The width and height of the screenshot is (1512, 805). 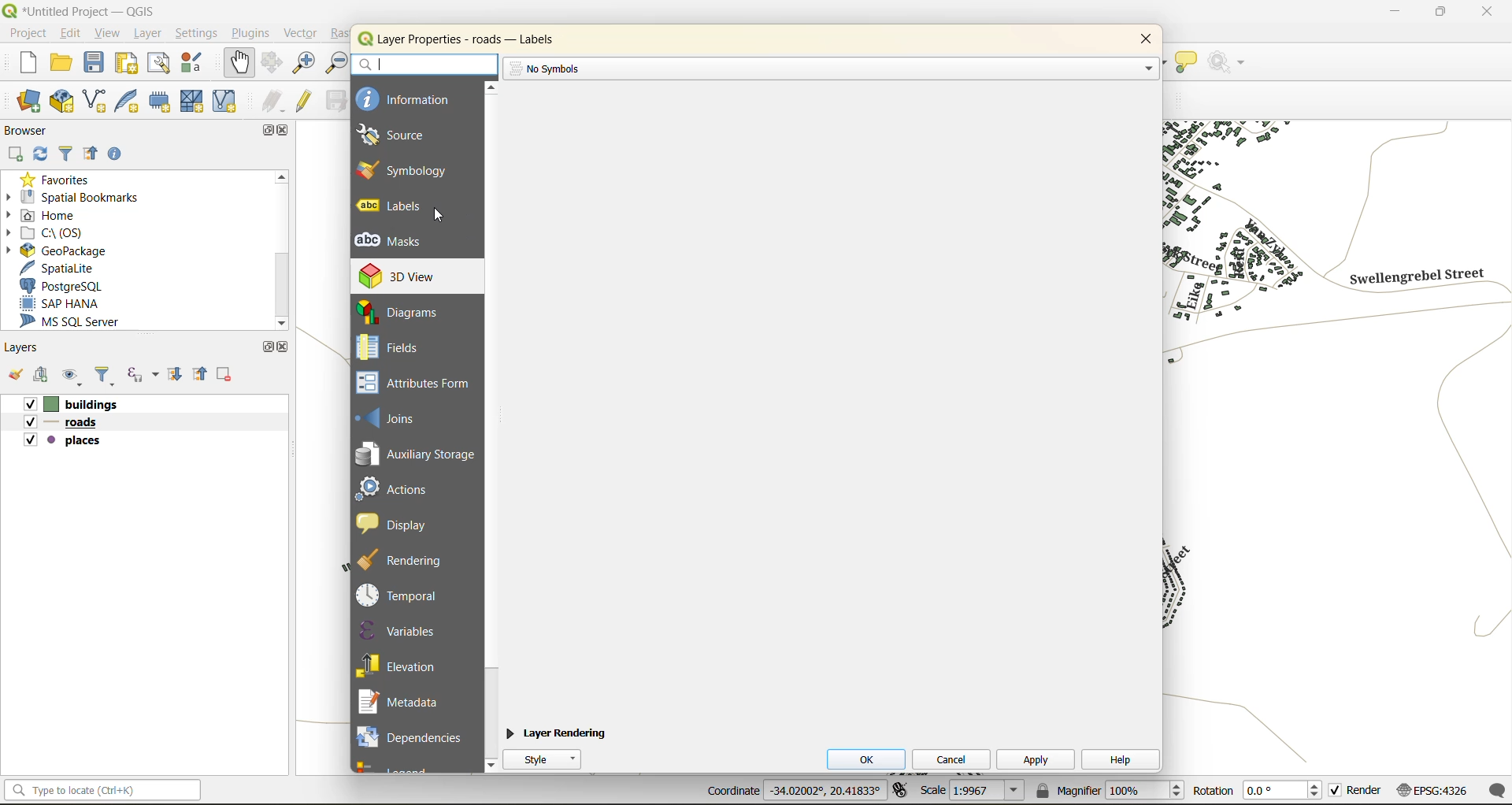 What do you see at coordinates (389, 347) in the screenshot?
I see `fields` at bounding box center [389, 347].